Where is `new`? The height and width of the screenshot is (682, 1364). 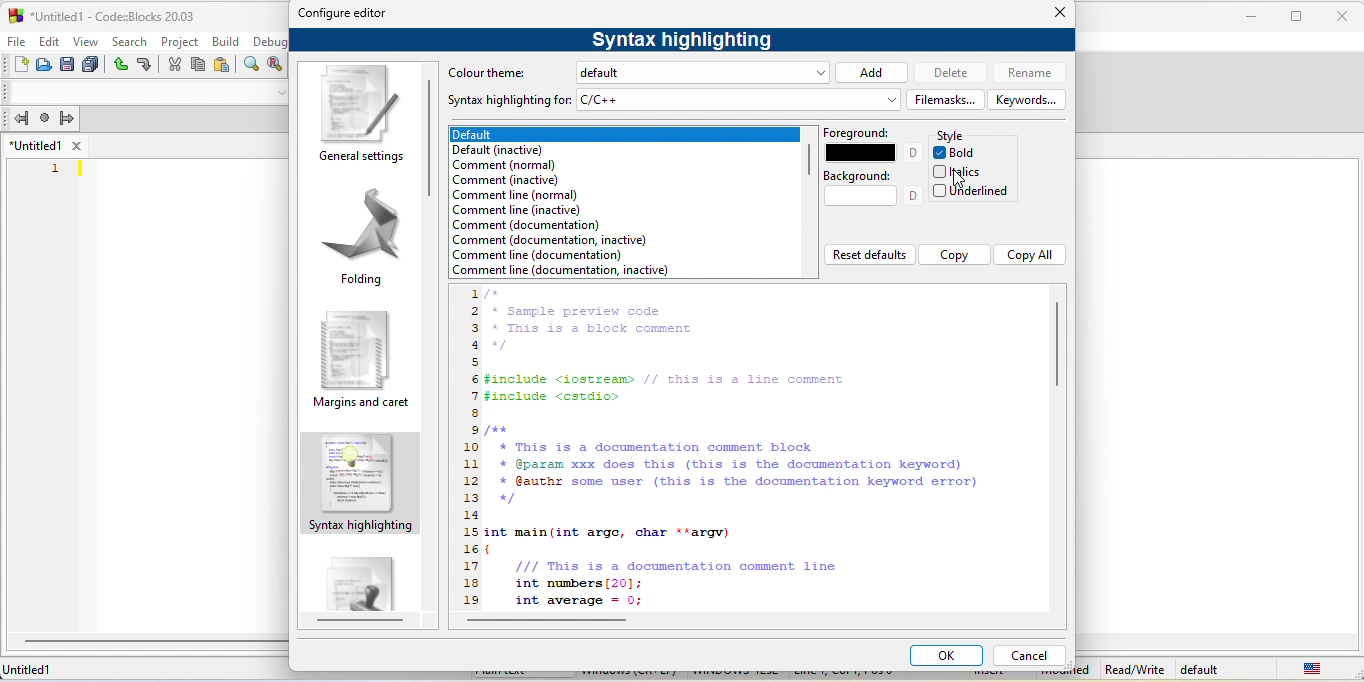 new is located at coordinates (21, 65).